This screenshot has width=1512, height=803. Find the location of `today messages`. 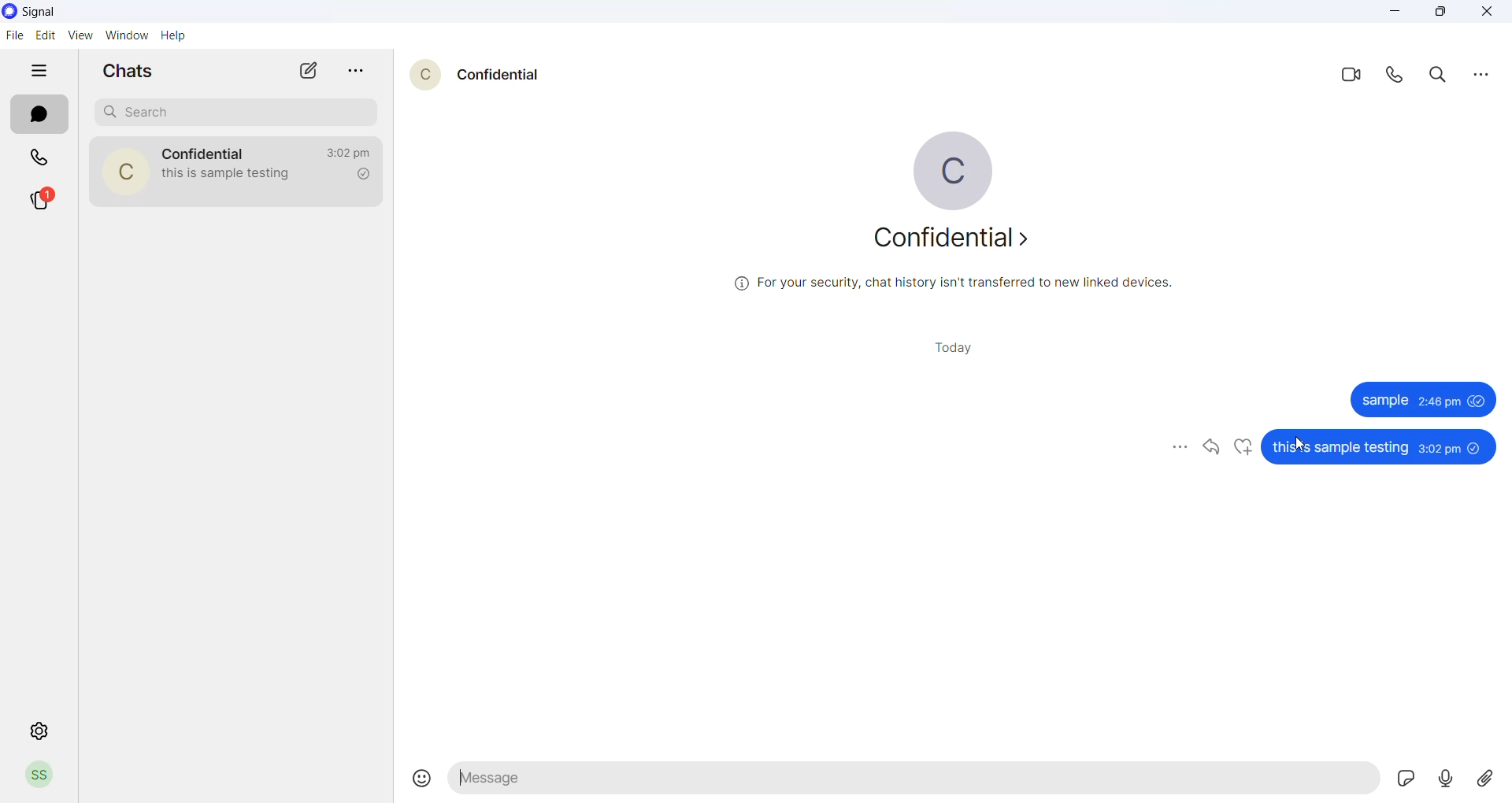

today messages is located at coordinates (953, 349).